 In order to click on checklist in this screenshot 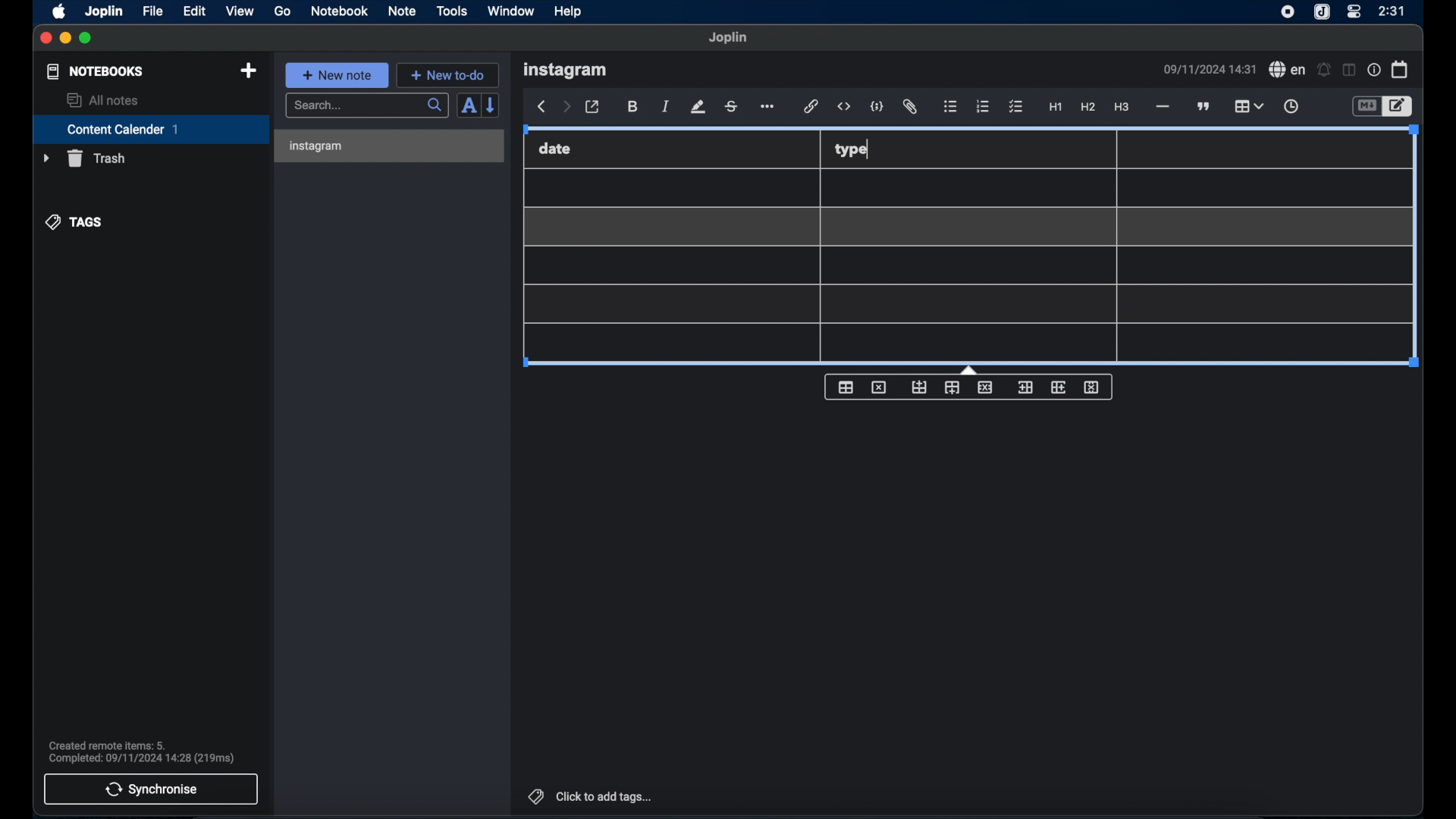, I will do `click(1017, 108)`.